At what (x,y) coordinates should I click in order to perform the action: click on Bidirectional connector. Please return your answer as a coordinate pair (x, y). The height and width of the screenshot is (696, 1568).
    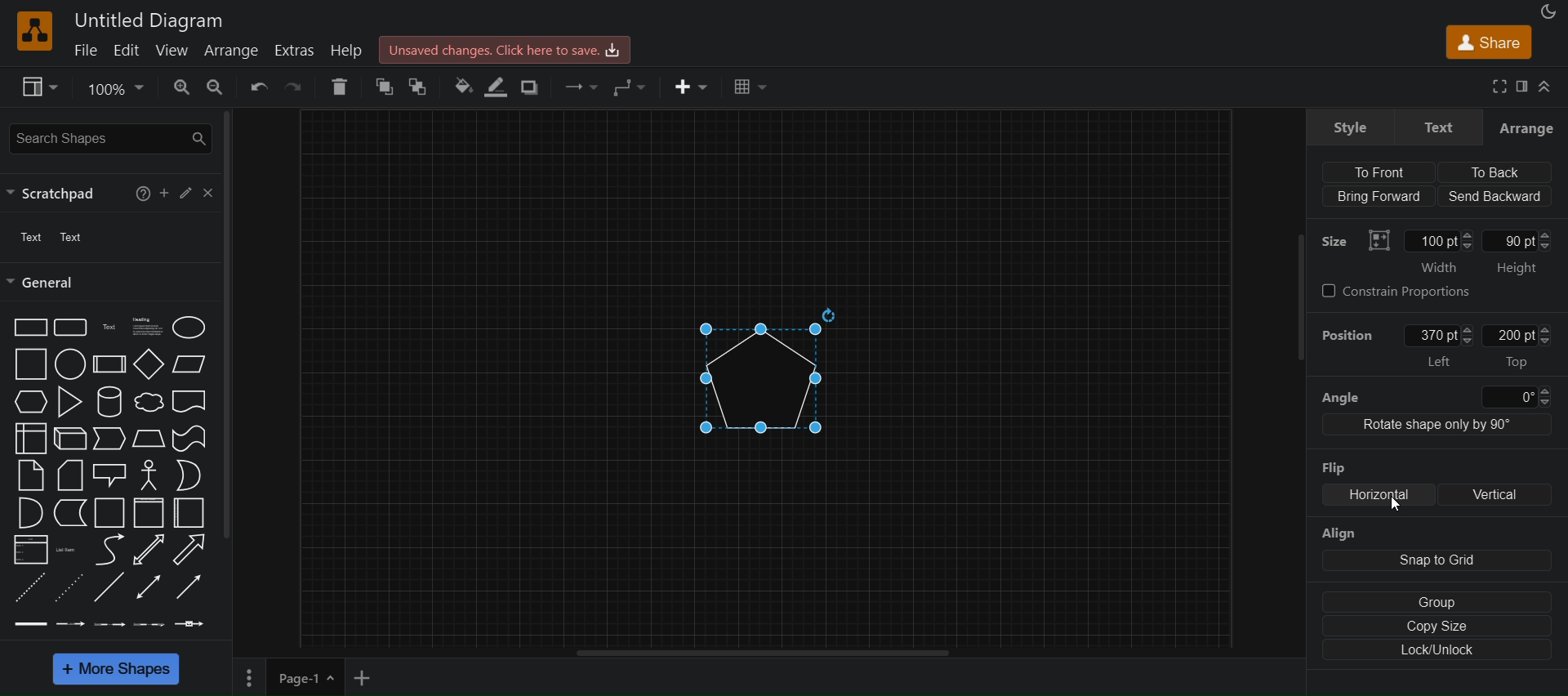
    Looking at the image, I should click on (149, 587).